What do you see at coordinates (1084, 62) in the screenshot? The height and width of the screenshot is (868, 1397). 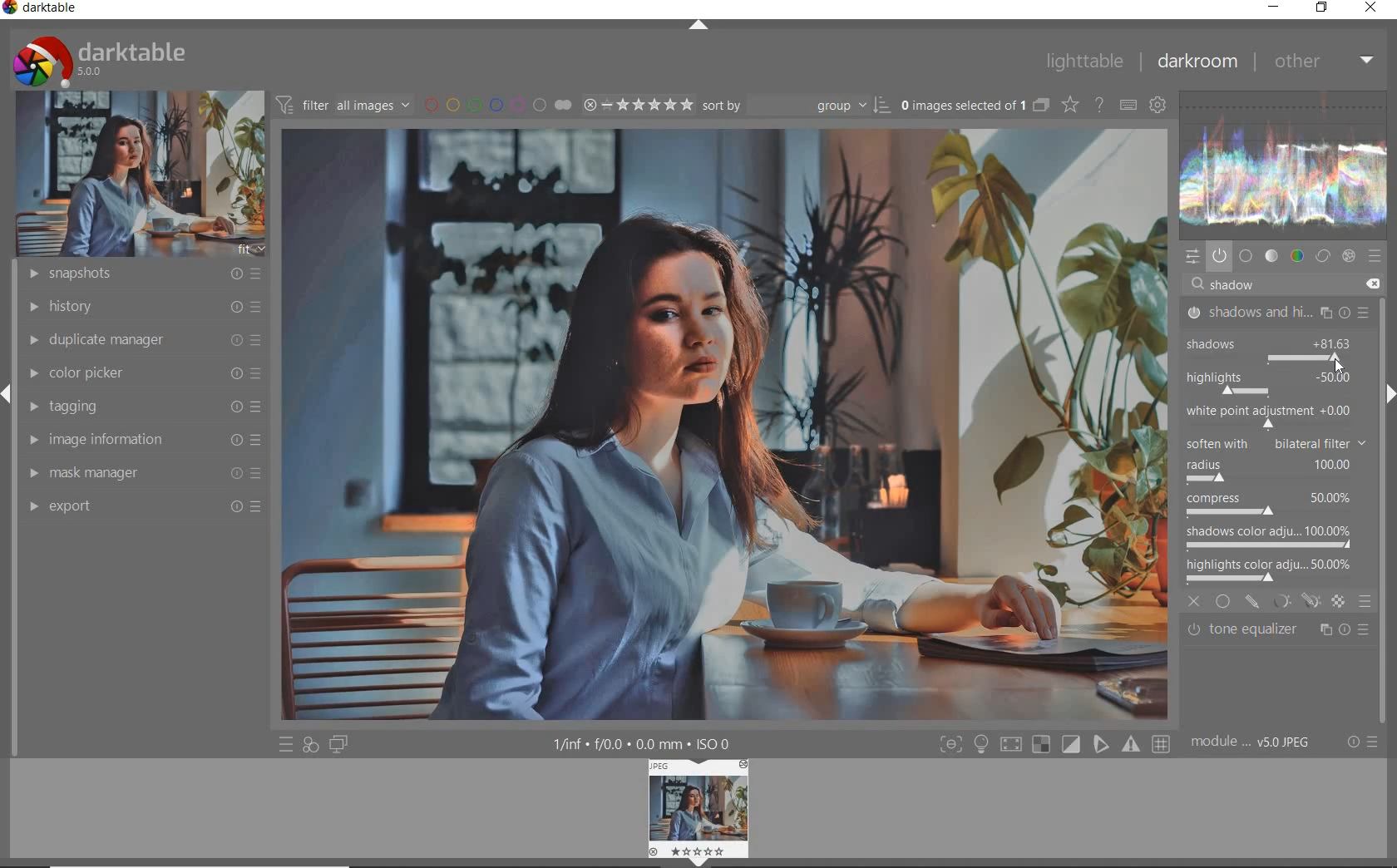 I see `lighttable` at bounding box center [1084, 62].